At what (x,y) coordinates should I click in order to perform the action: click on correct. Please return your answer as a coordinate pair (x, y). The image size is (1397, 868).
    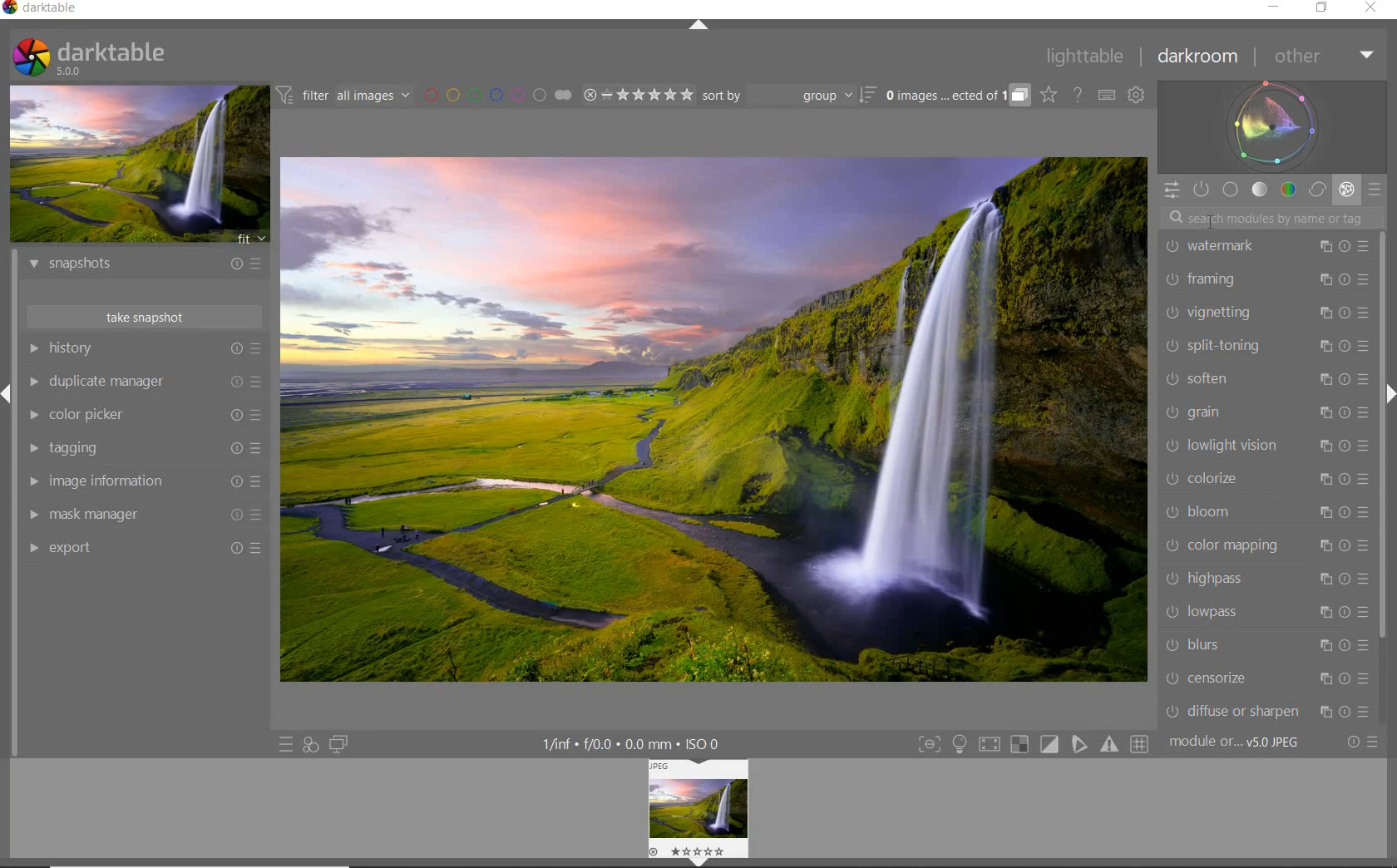
    Looking at the image, I should click on (1316, 189).